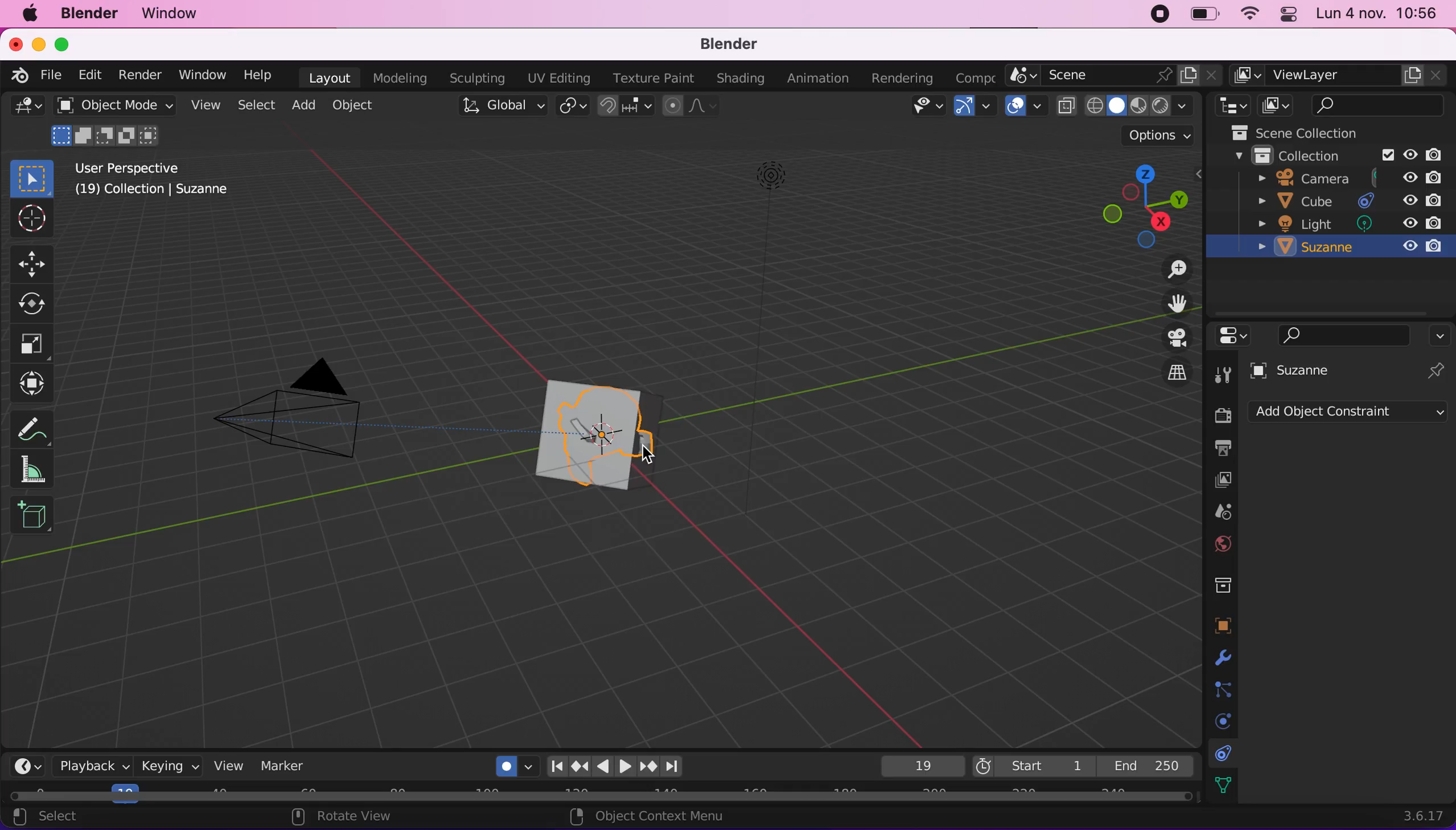 The image size is (1456, 830). Describe the element at coordinates (1135, 204) in the screenshot. I see `click, shortcut and drag` at that location.